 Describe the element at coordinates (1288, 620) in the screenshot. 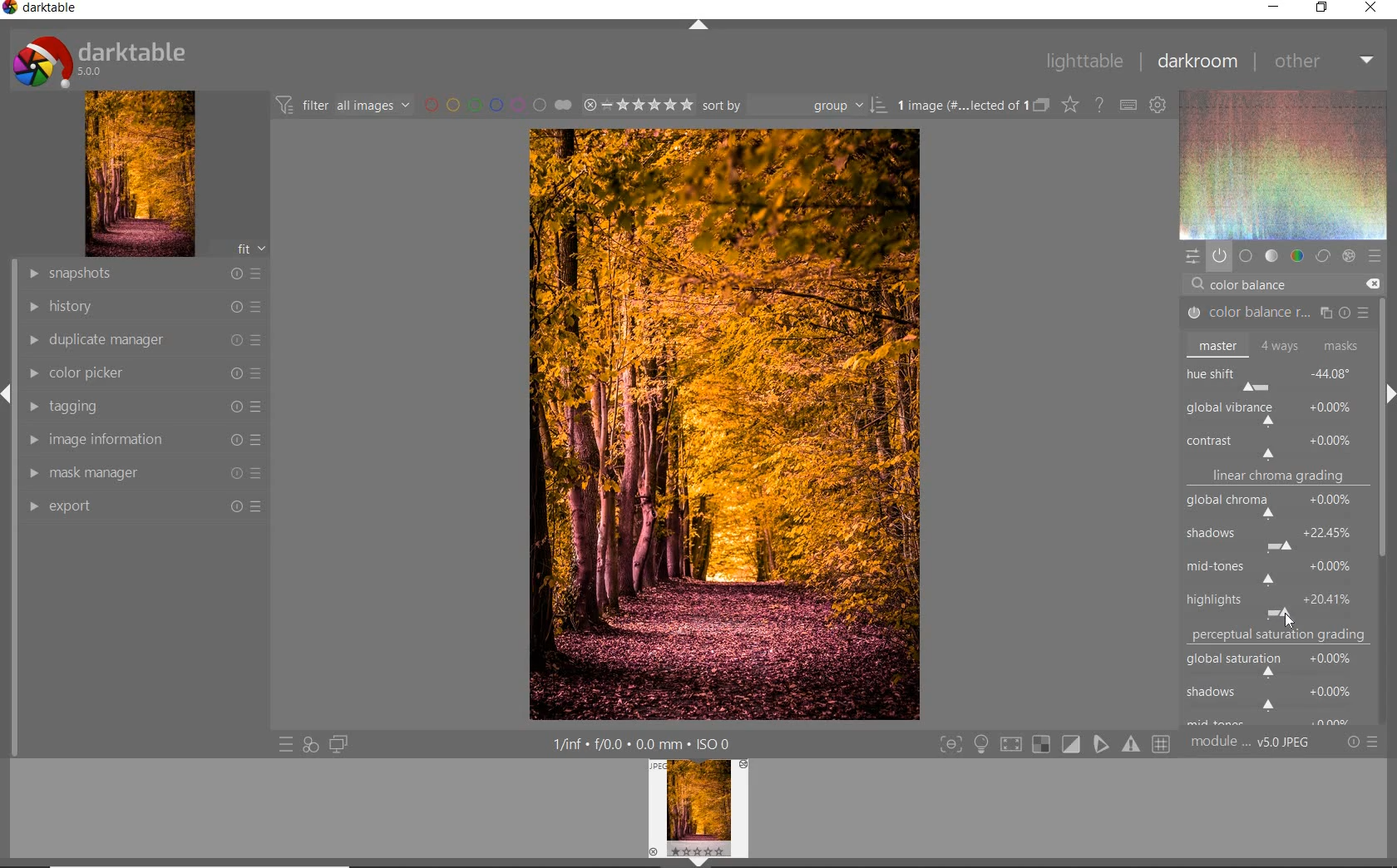

I see `CURSOR POSITION` at that location.